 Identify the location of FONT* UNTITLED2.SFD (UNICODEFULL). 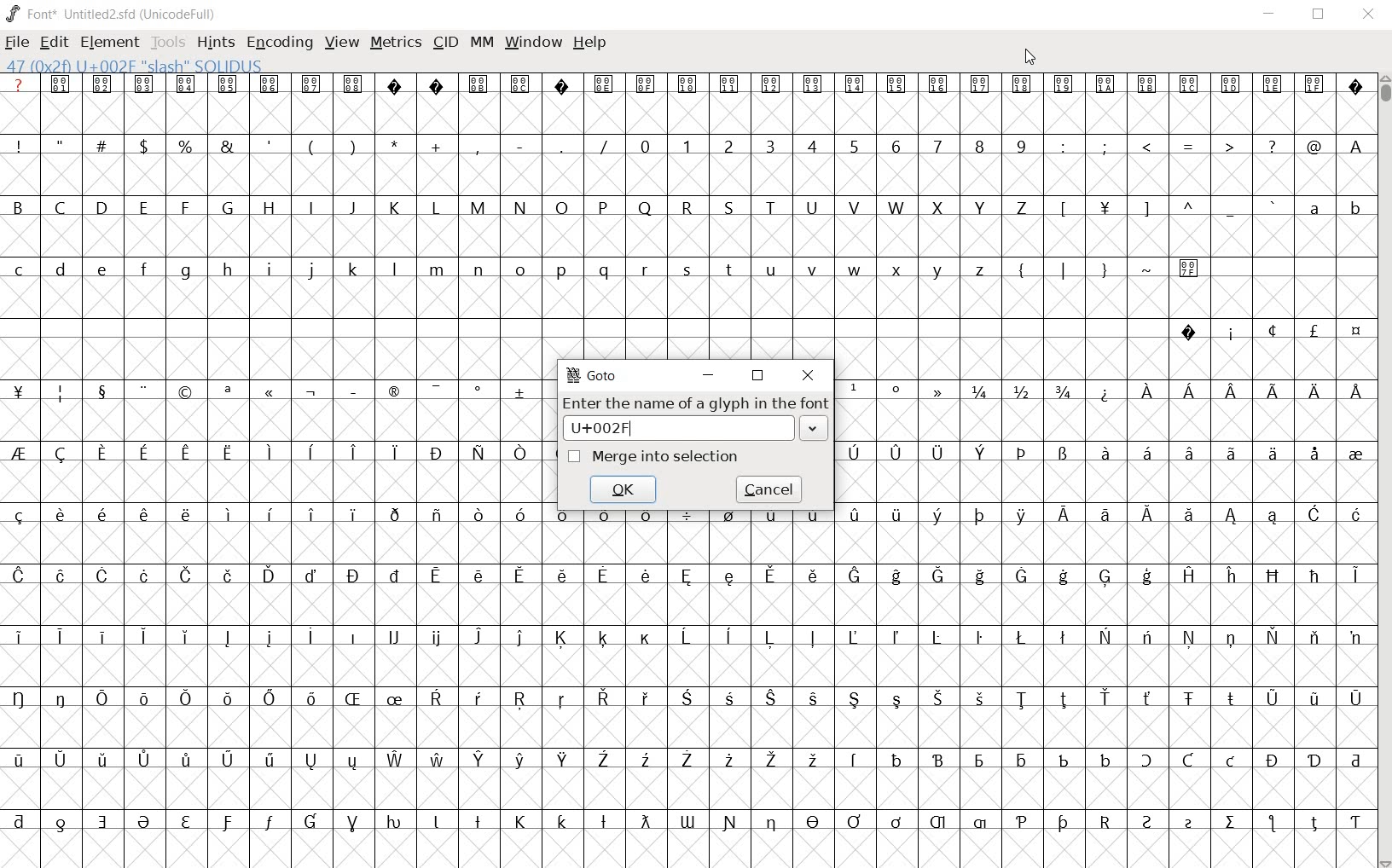
(111, 13).